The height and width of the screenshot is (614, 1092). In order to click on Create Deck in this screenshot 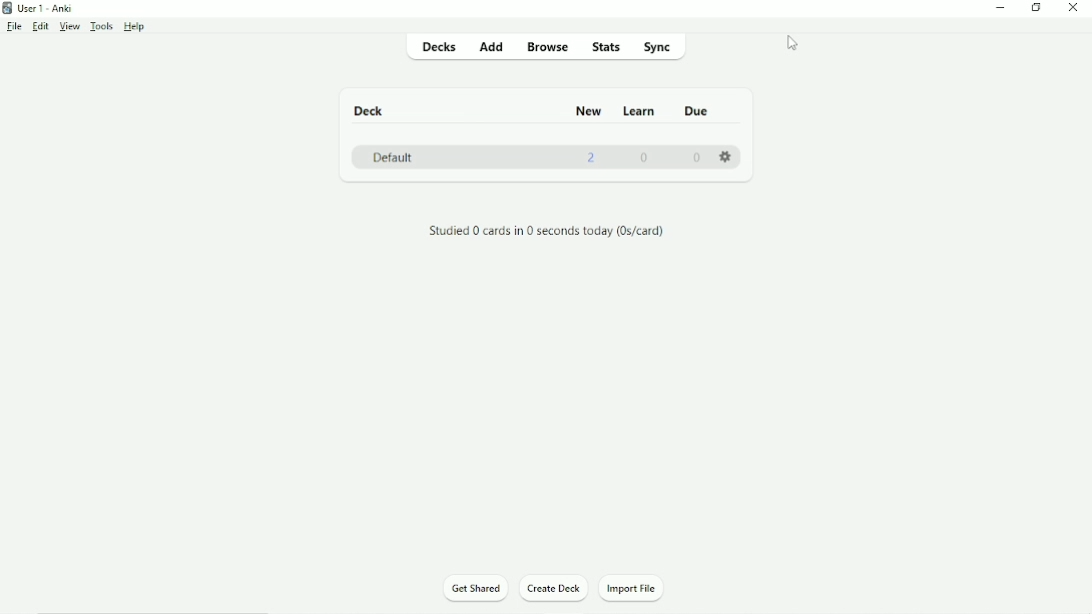, I will do `click(554, 588)`.